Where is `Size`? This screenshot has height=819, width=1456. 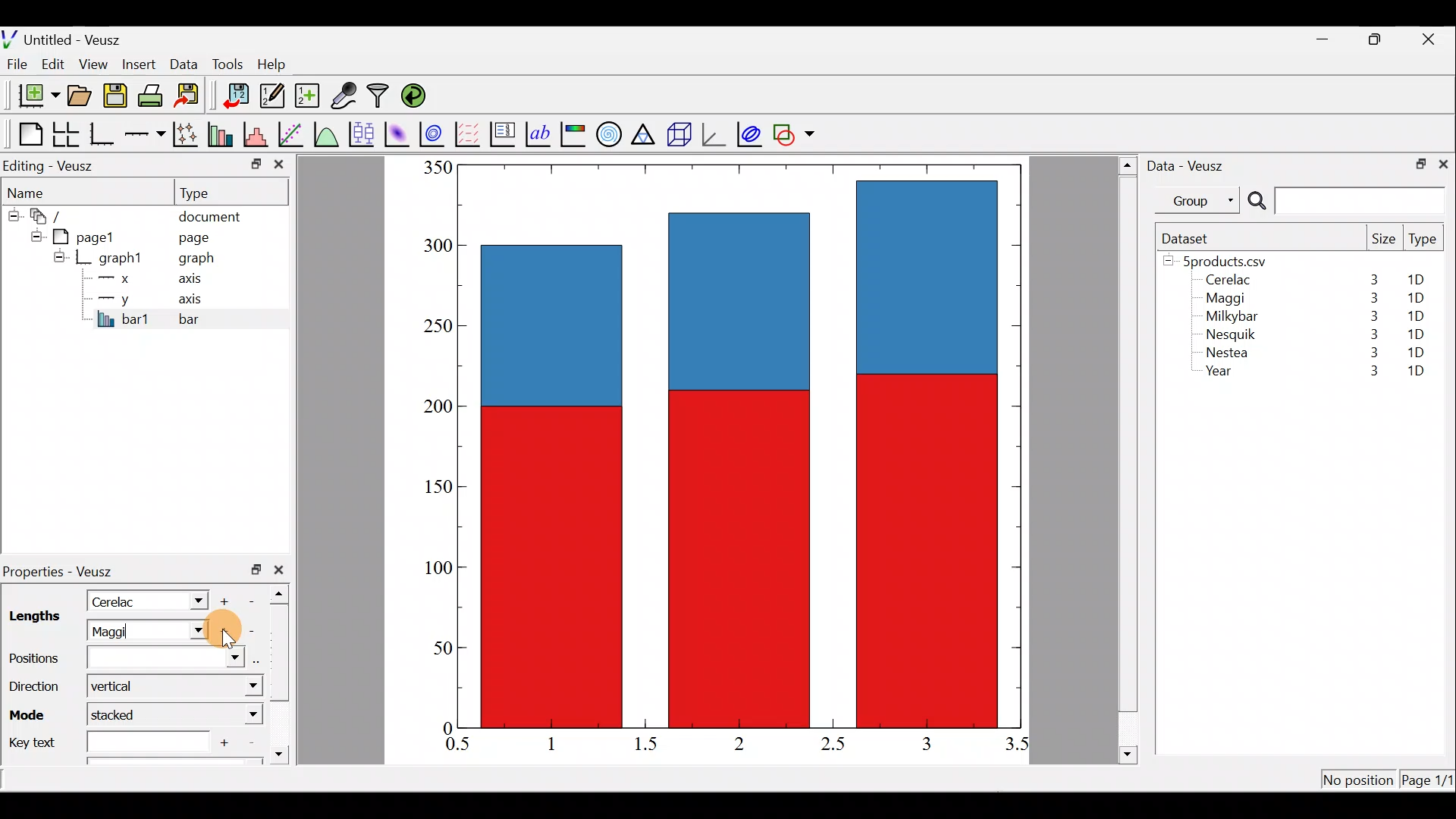
Size is located at coordinates (1383, 240).